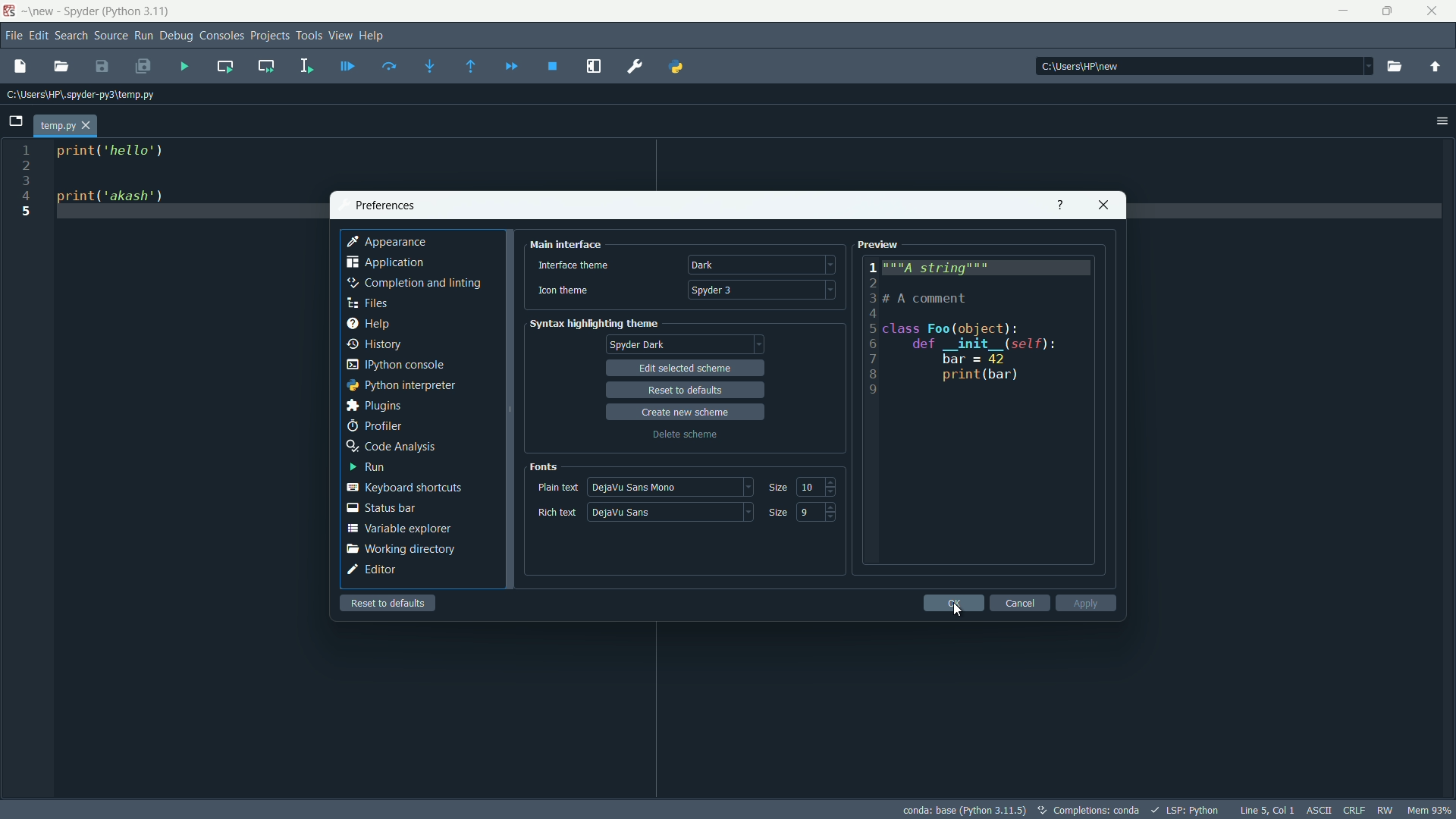 This screenshot has width=1456, height=819. Describe the element at coordinates (20, 67) in the screenshot. I see `new file` at that location.